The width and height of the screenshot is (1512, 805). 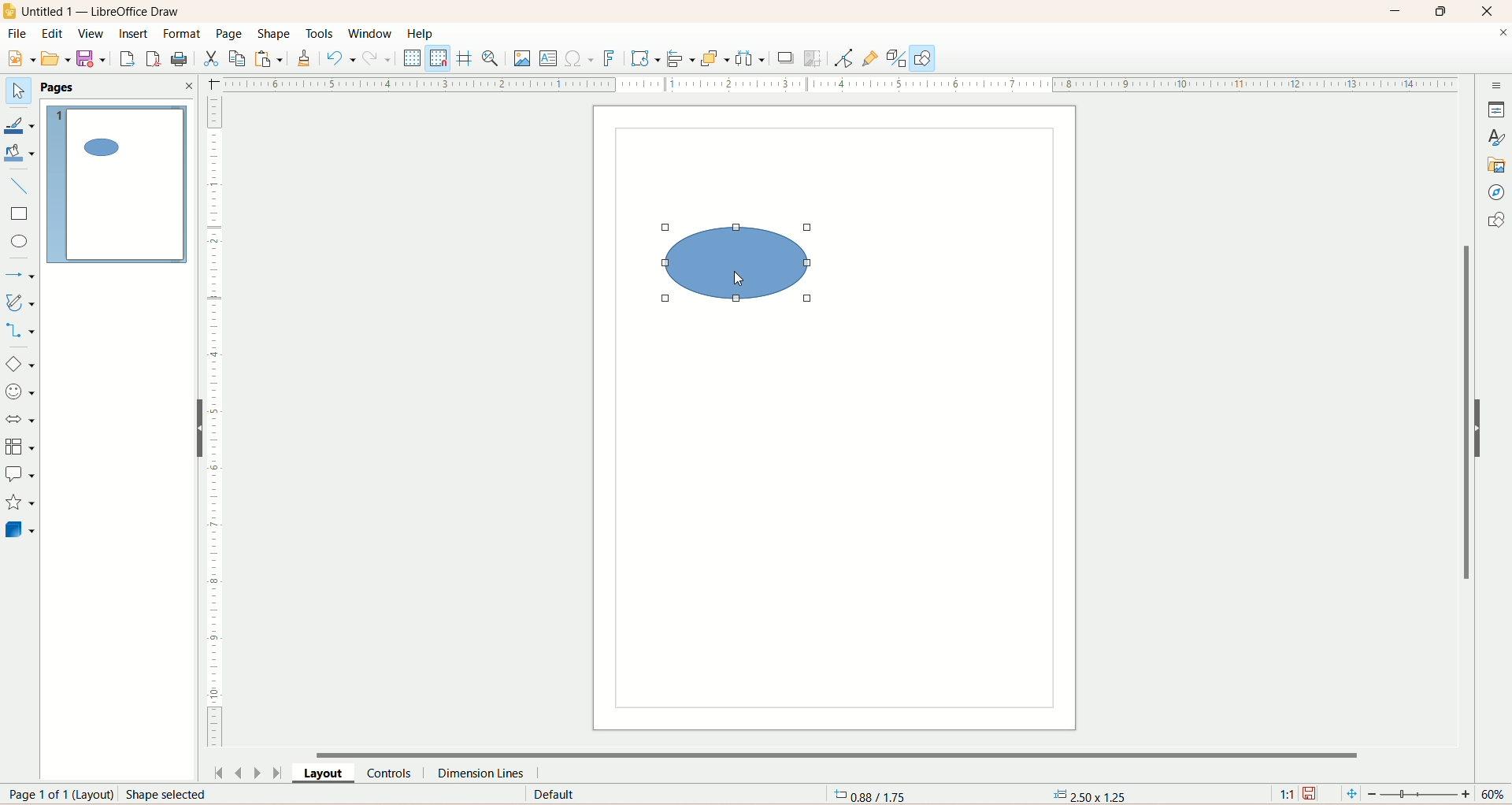 I want to click on cut, so click(x=213, y=58).